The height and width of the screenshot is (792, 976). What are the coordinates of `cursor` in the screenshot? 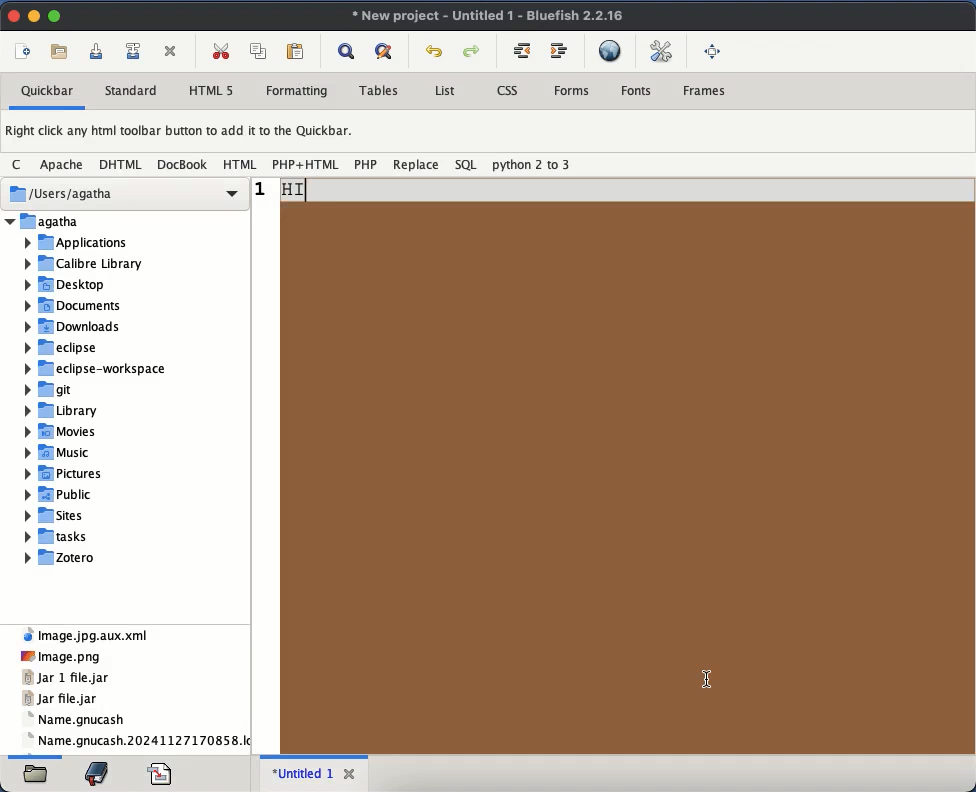 It's located at (708, 681).